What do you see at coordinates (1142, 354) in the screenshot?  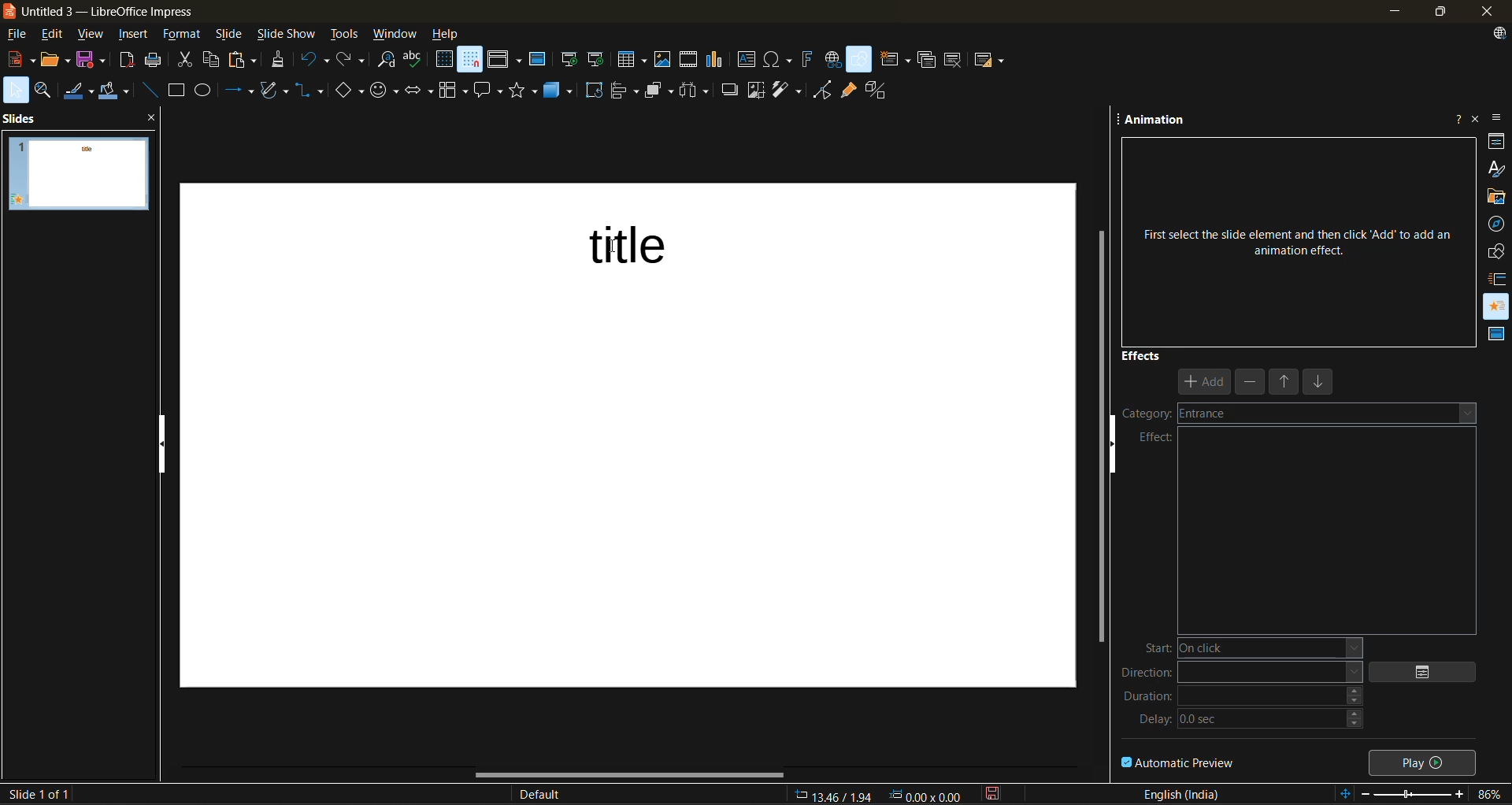 I see `effects` at bounding box center [1142, 354].